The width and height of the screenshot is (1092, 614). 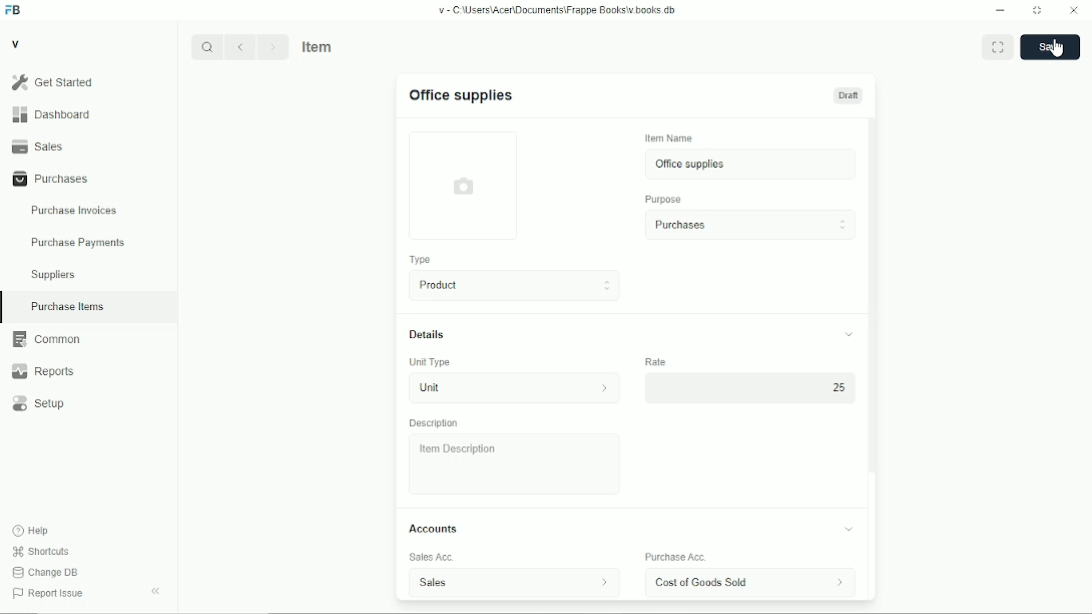 I want to click on purchases, so click(x=750, y=225).